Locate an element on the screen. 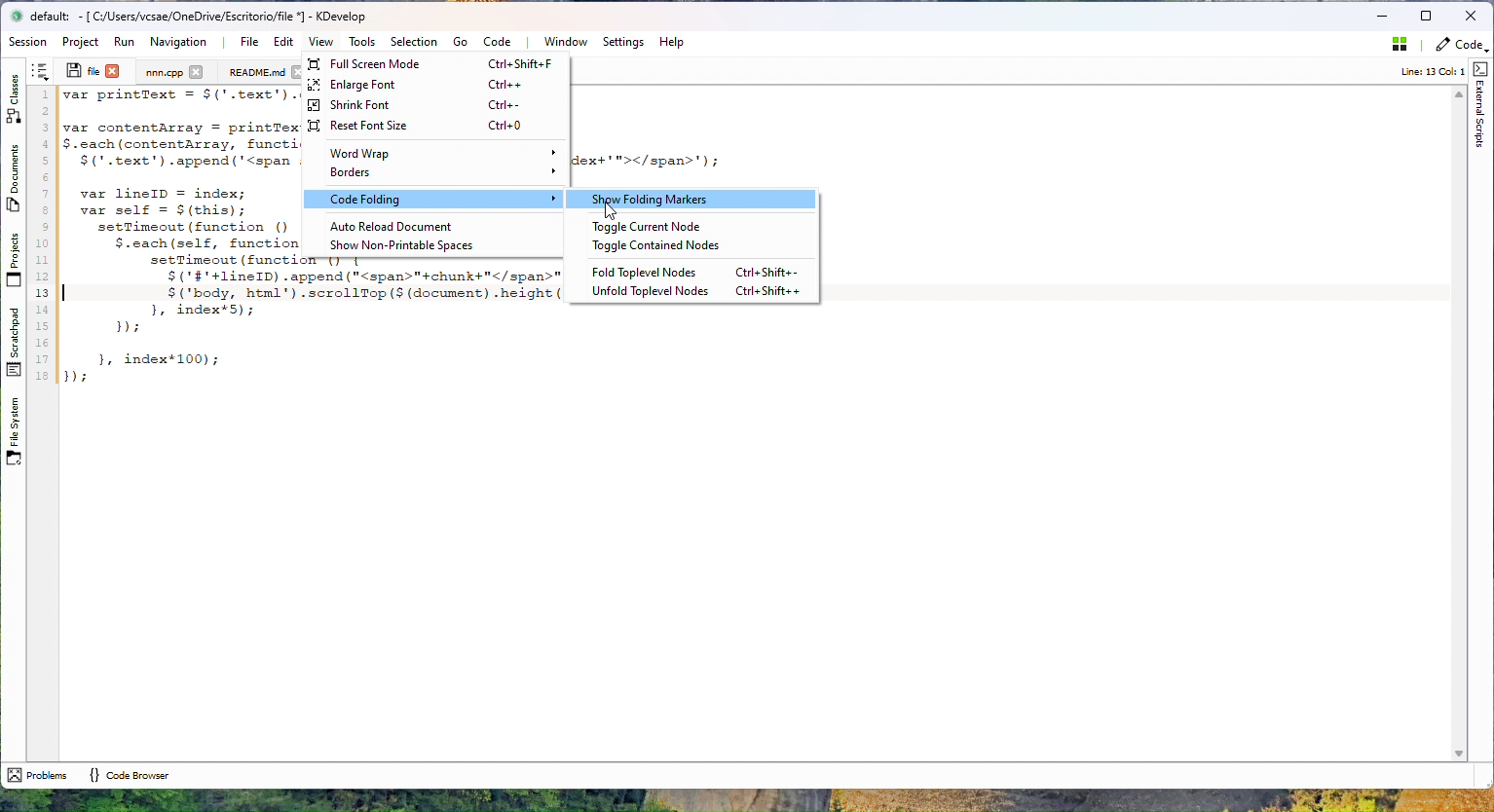  close is located at coordinates (113, 70).